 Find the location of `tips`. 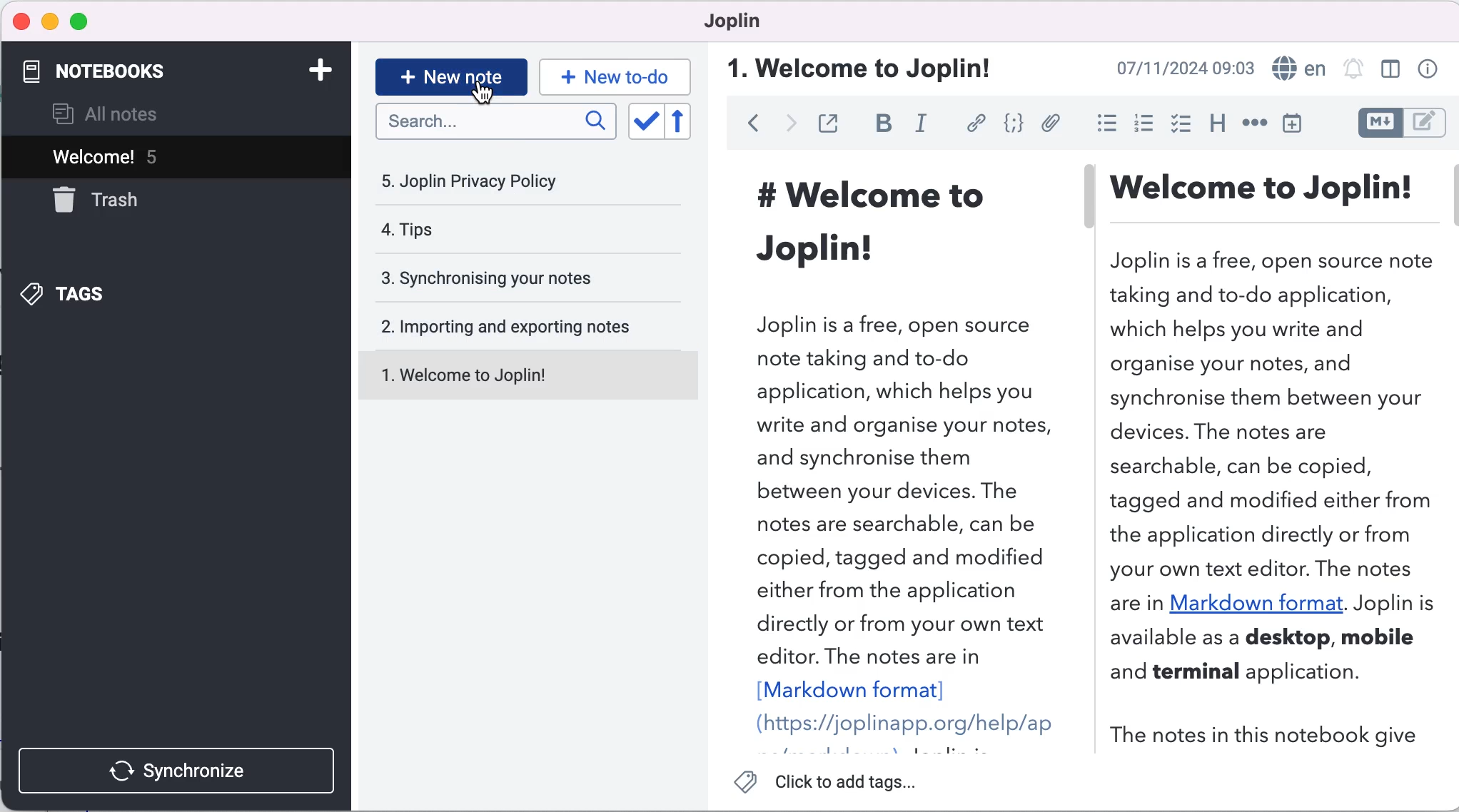

tips is located at coordinates (493, 233).